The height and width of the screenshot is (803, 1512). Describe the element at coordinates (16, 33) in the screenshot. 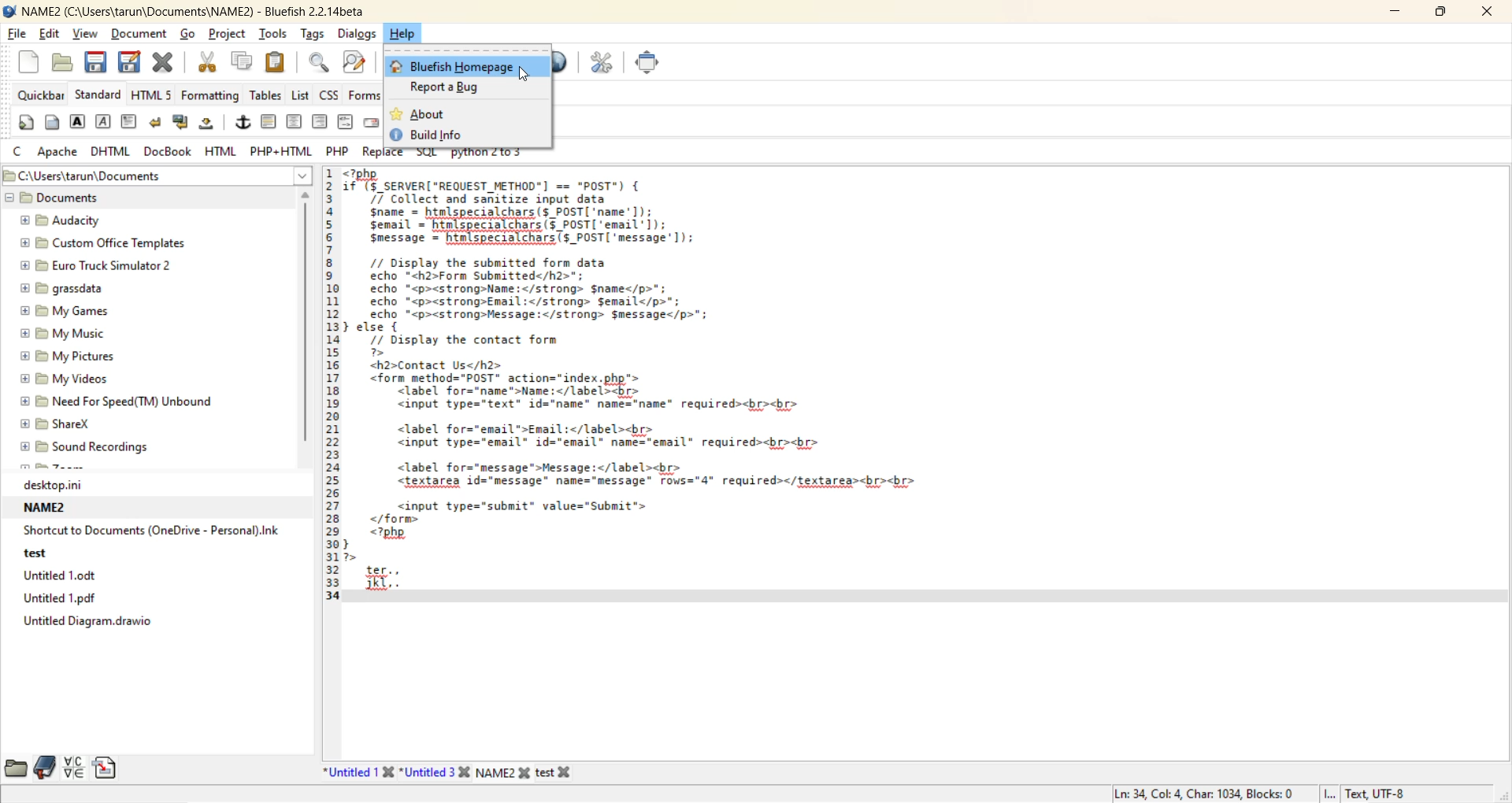

I see `file` at that location.